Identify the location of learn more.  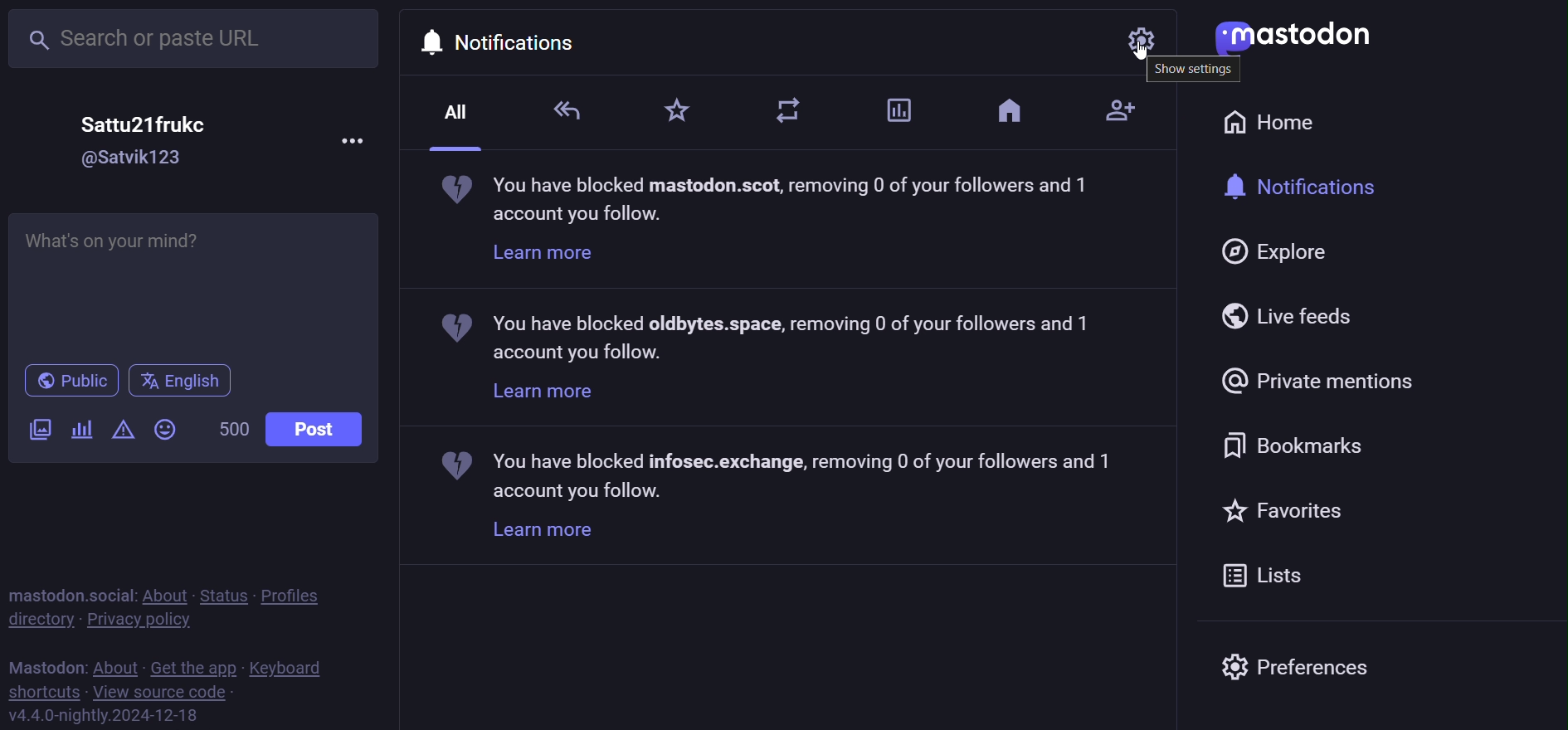
(544, 255).